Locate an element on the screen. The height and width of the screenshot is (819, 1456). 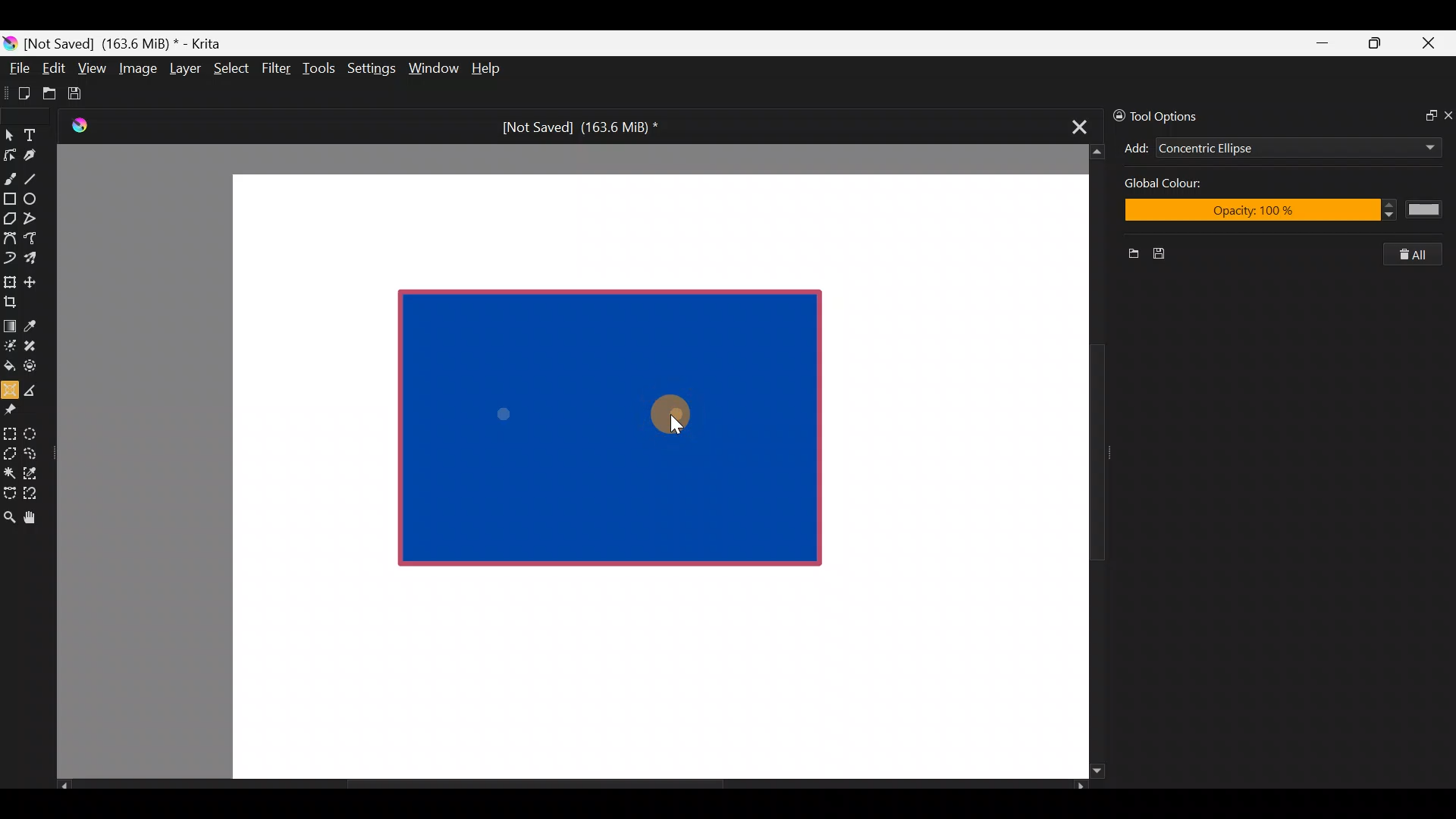
Bezier curve tool is located at coordinates (9, 240).